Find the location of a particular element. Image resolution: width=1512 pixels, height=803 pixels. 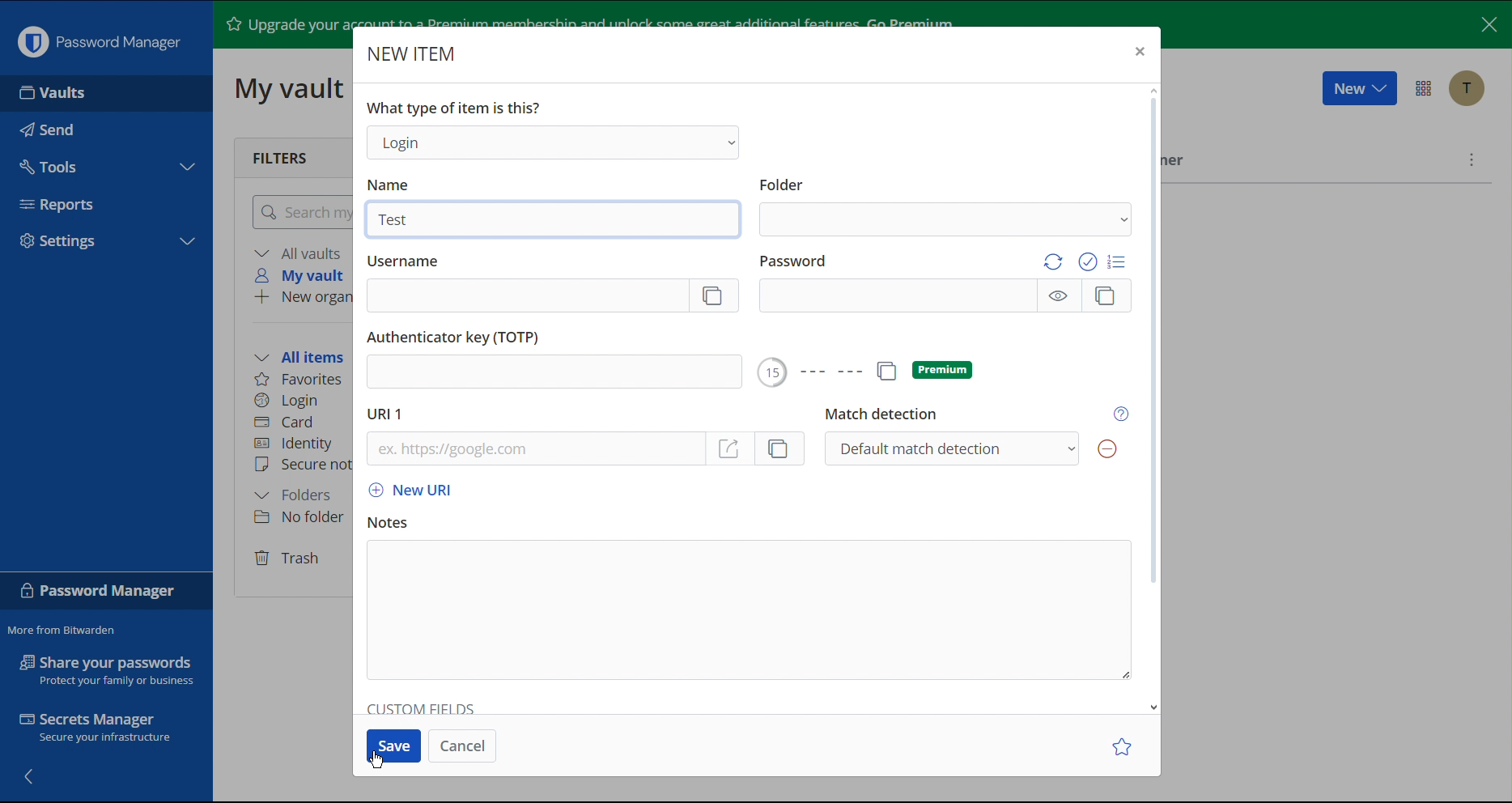

Login is located at coordinates (289, 401).